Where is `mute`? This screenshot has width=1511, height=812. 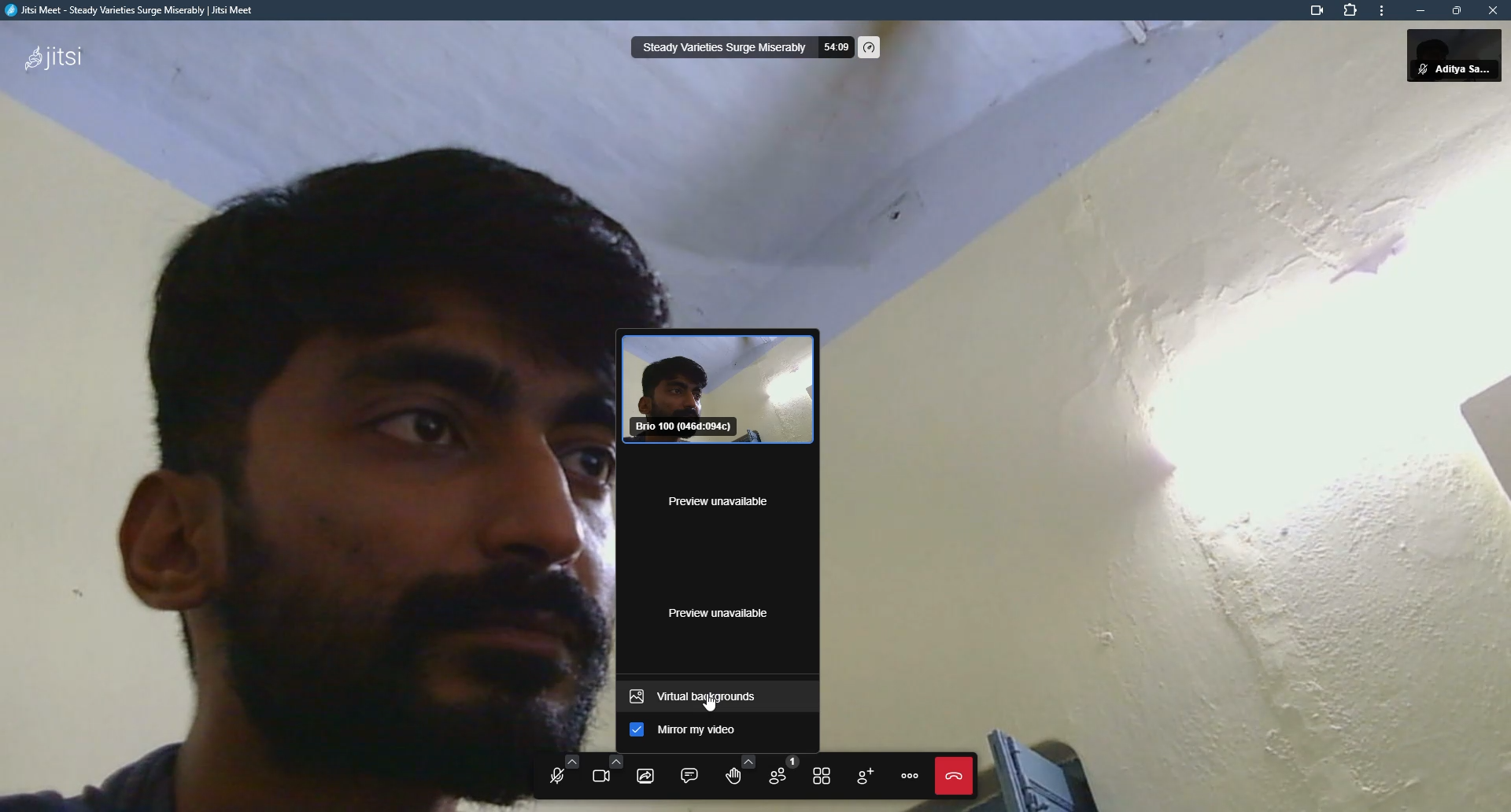 mute is located at coordinates (1419, 70).